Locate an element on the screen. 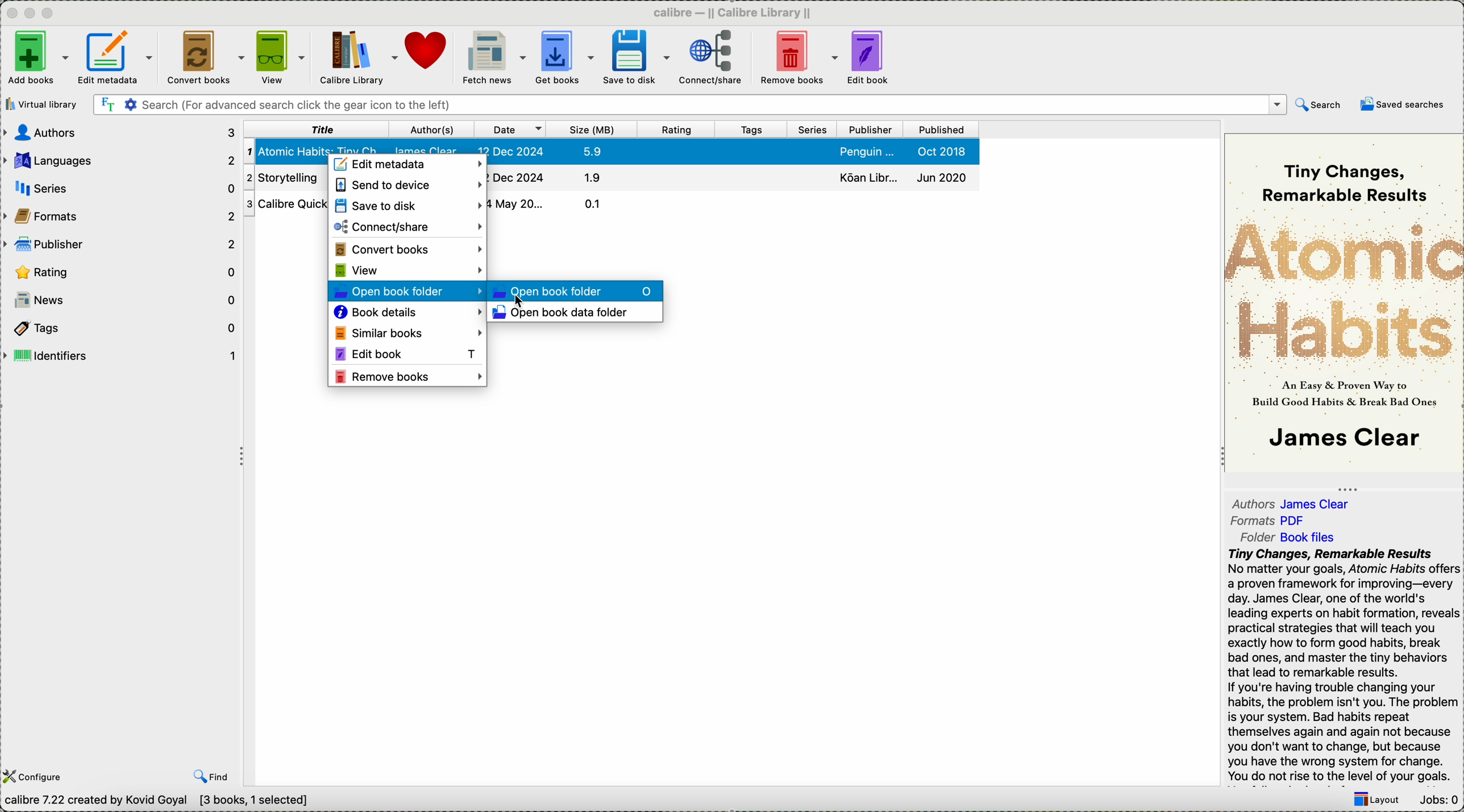 Image resolution: width=1464 pixels, height=812 pixels. click on open book folder is located at coordinates (407, 292).